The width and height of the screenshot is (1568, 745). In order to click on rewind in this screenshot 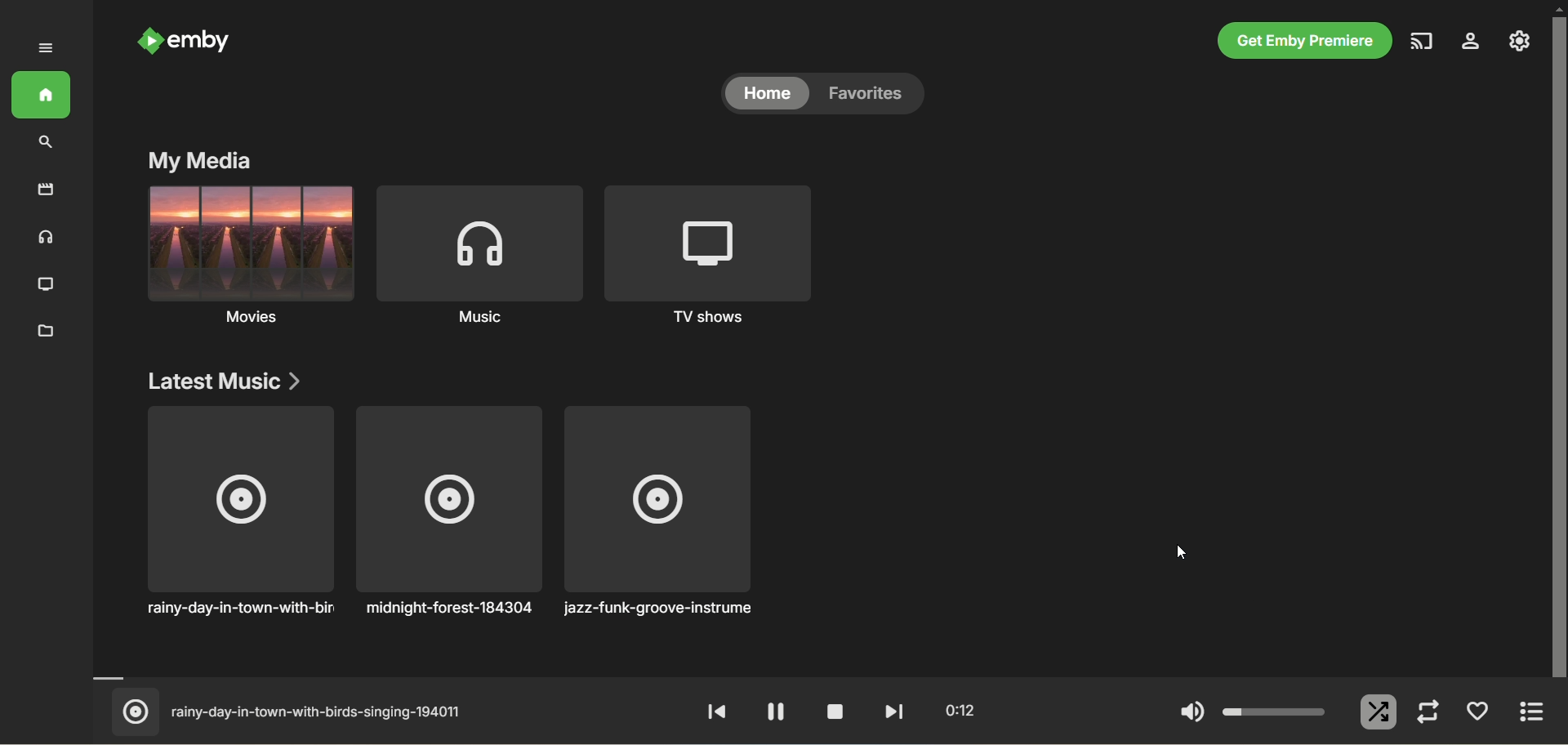, I will do `click(716, 712)`.